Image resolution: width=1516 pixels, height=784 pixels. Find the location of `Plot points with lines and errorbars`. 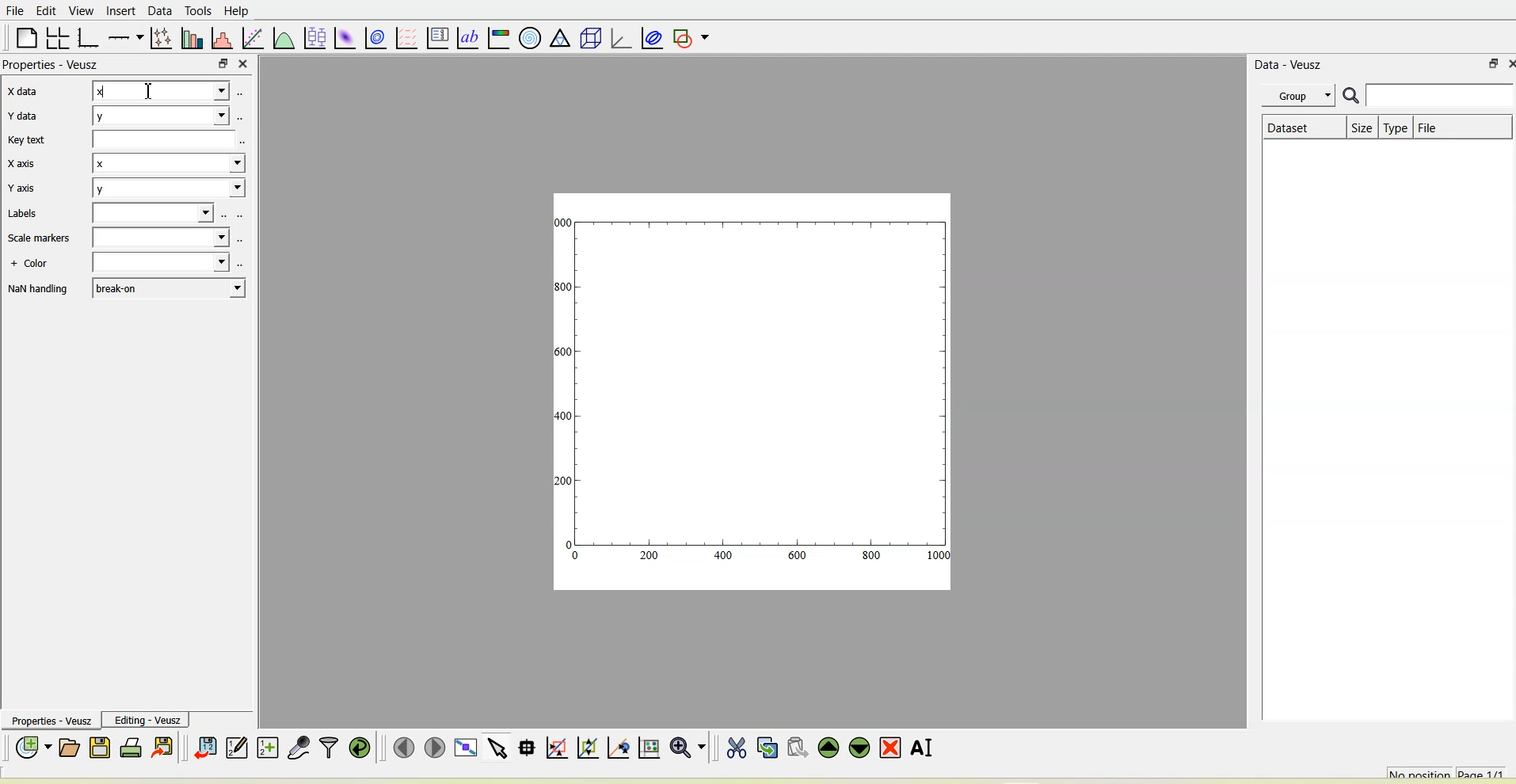

Plot points with lines and errorbars is located at coordinates (162, 36).